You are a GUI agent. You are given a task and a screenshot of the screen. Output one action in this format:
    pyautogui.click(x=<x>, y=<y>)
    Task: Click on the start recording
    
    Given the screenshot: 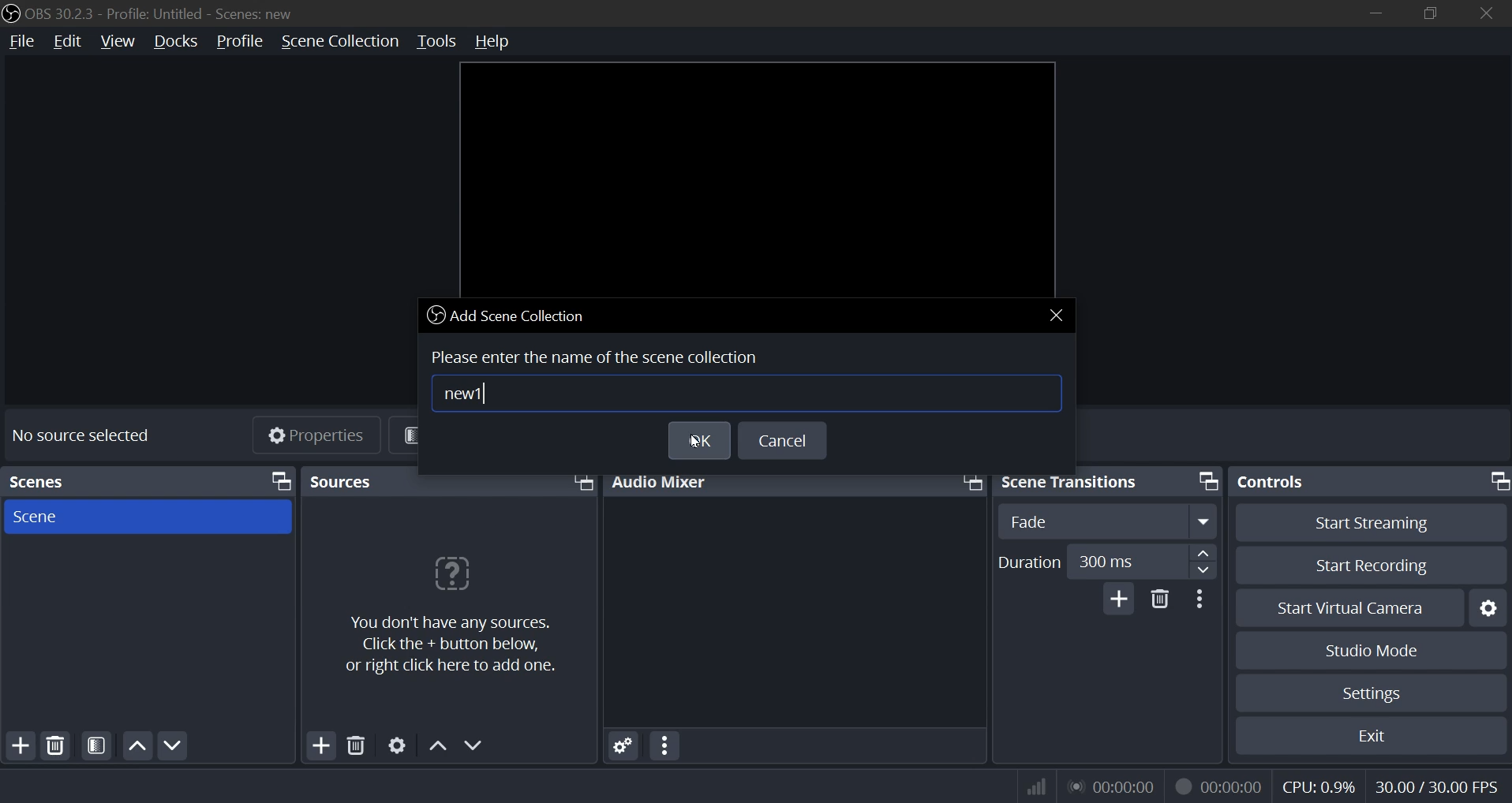 What is the action you would take?
    pyautogui.click(x=1373, y=565)
    